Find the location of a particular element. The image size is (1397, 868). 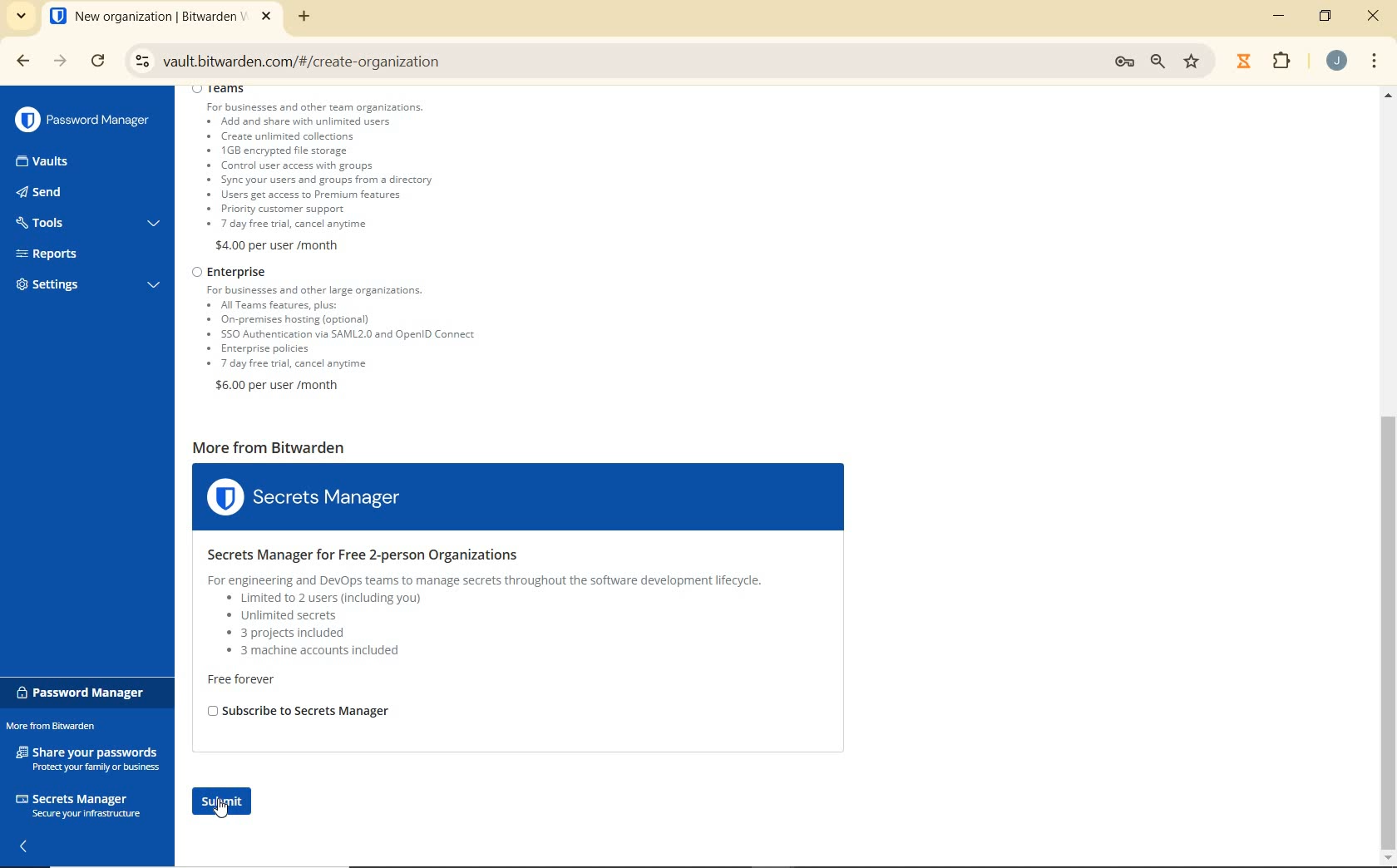

password manager is located at coordinates (82, 120).